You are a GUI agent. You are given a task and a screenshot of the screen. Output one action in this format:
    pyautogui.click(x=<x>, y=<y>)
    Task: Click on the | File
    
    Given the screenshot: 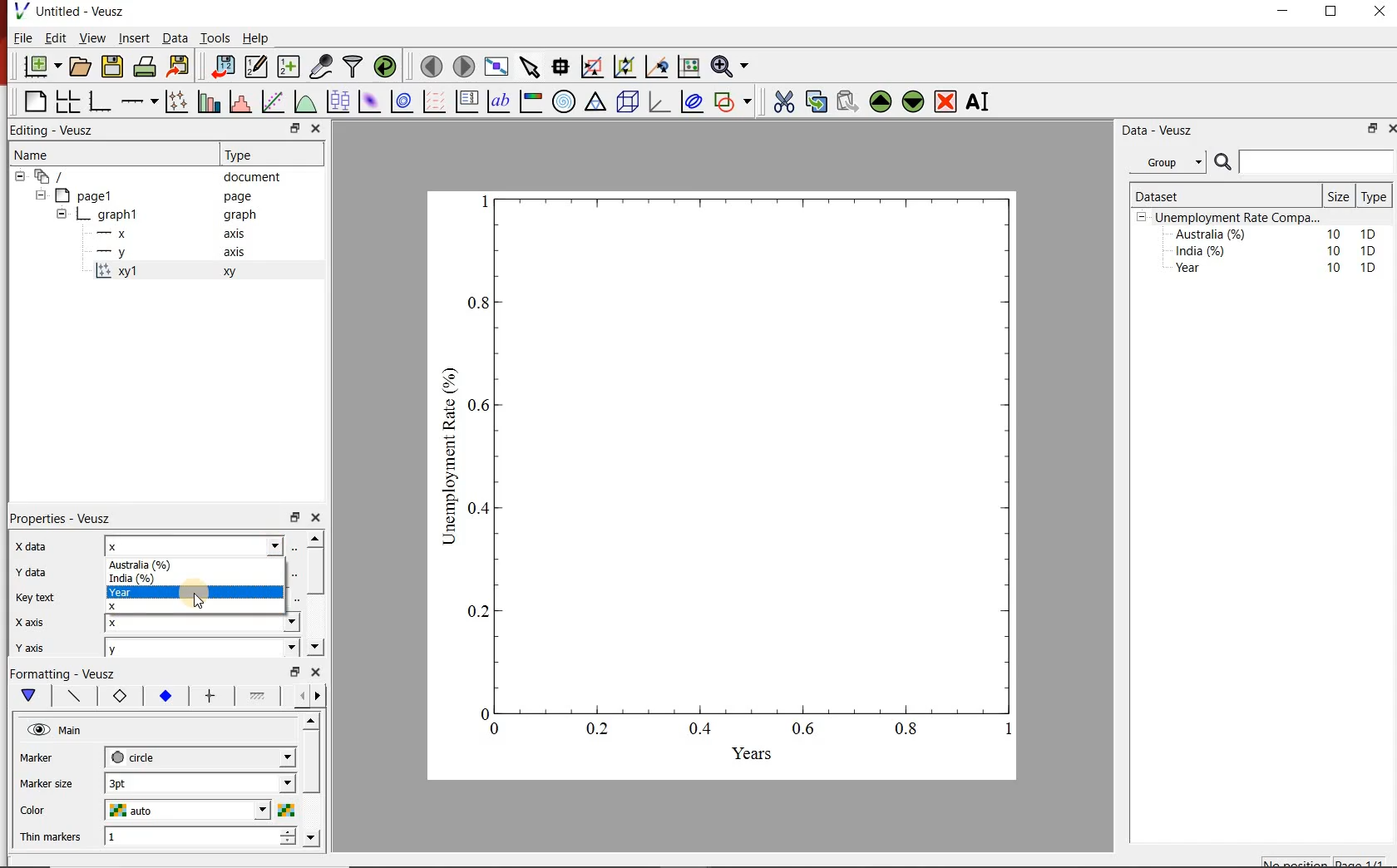 What is the action you would take?
    pyautogui.click(x=19, y=37)
    